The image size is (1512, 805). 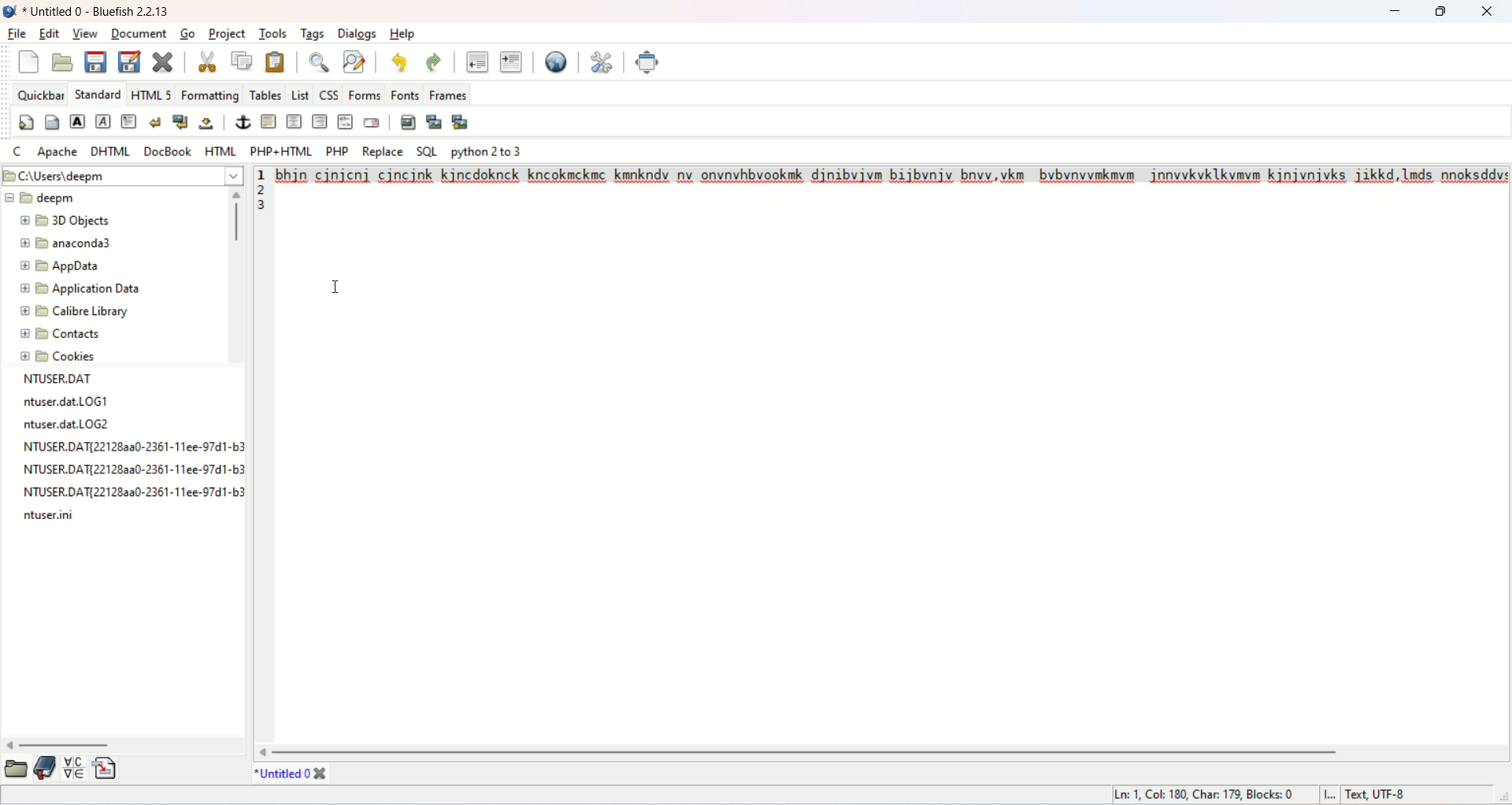 I want to click on text, UTF-8, so click(x=1380, y=796).